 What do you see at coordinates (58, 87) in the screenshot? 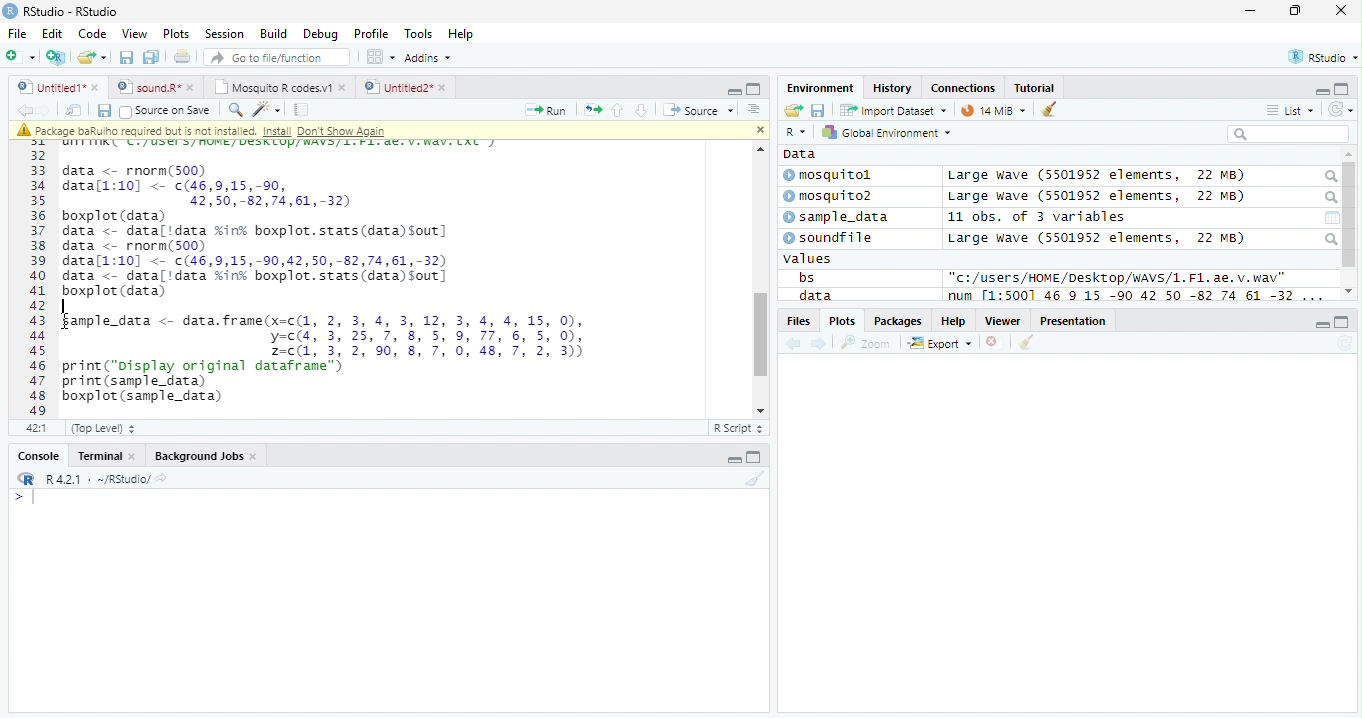
I see `Untitied1*` at bounding box center [58, 87].